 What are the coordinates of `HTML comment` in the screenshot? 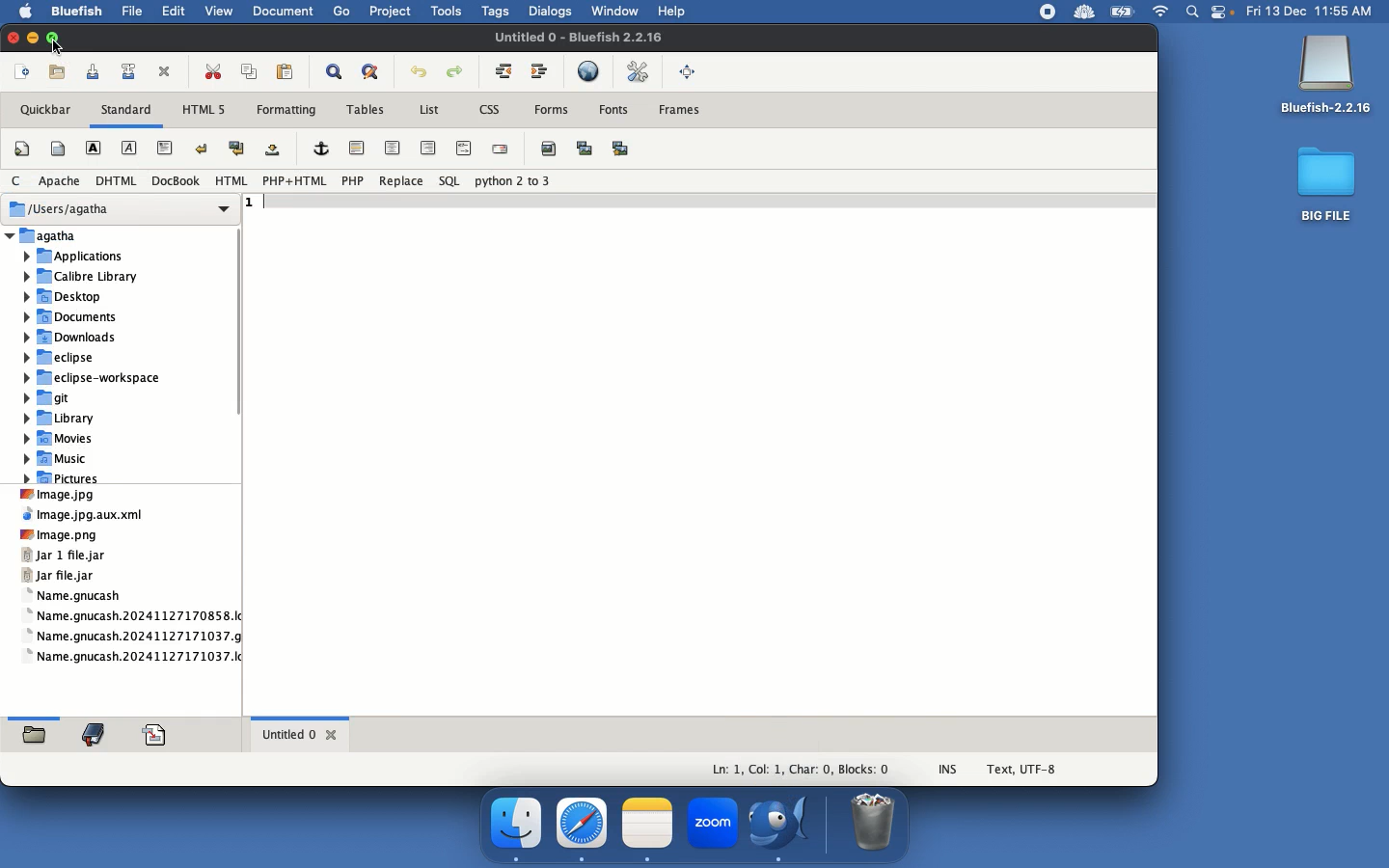 It's located at (464, 149).